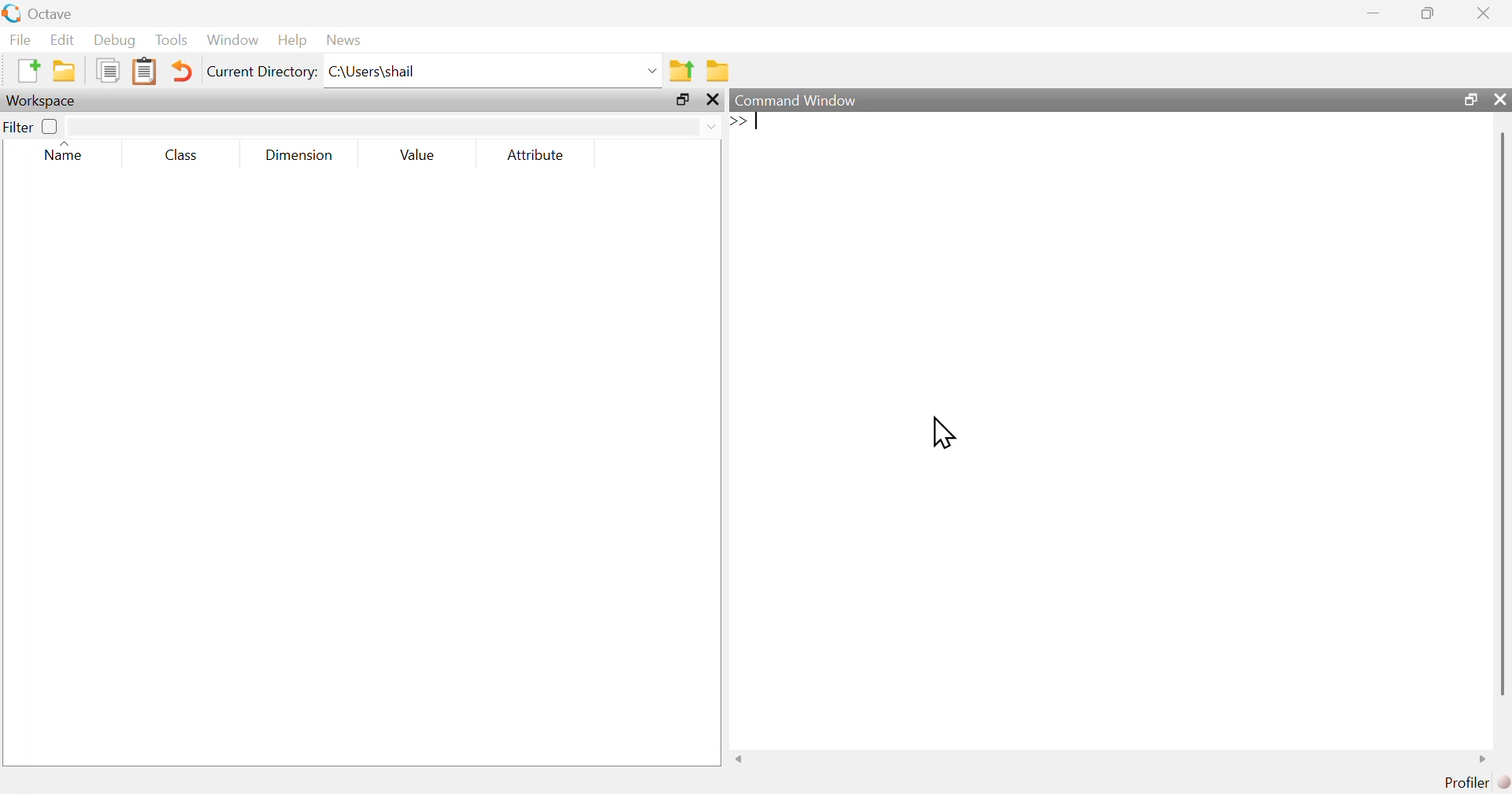  I want to click on Folder, so click(717, 69).